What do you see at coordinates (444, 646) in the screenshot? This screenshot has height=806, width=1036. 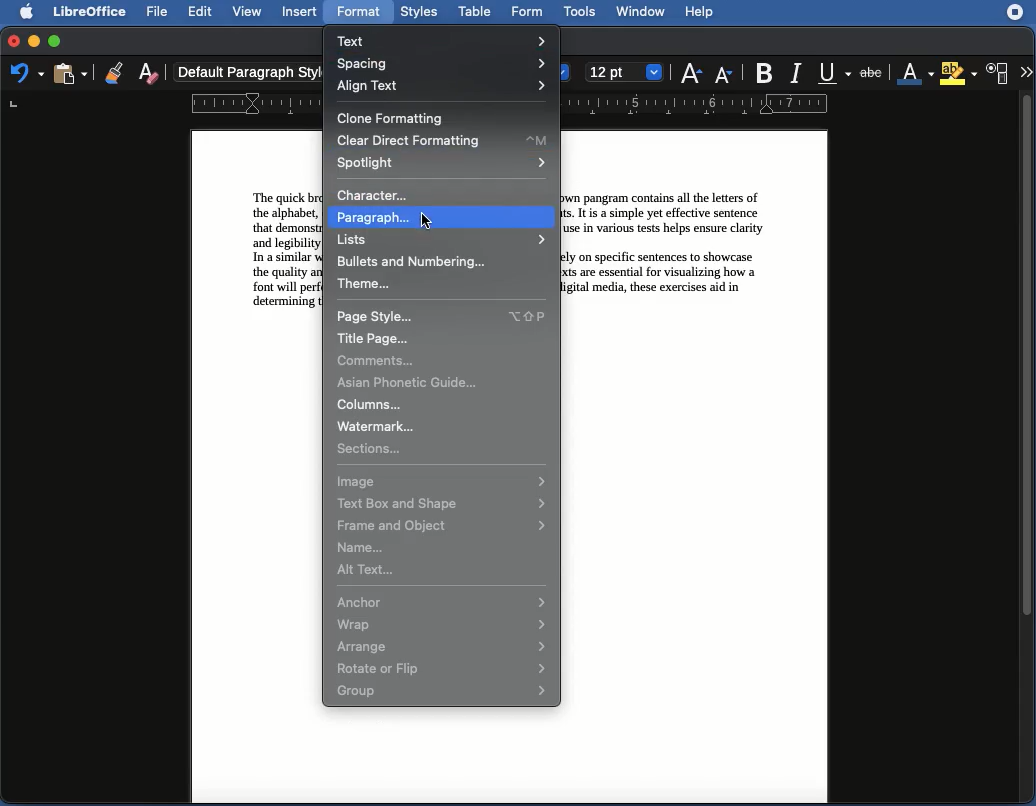 I see `Arrange` at bounding box center [444, 646].